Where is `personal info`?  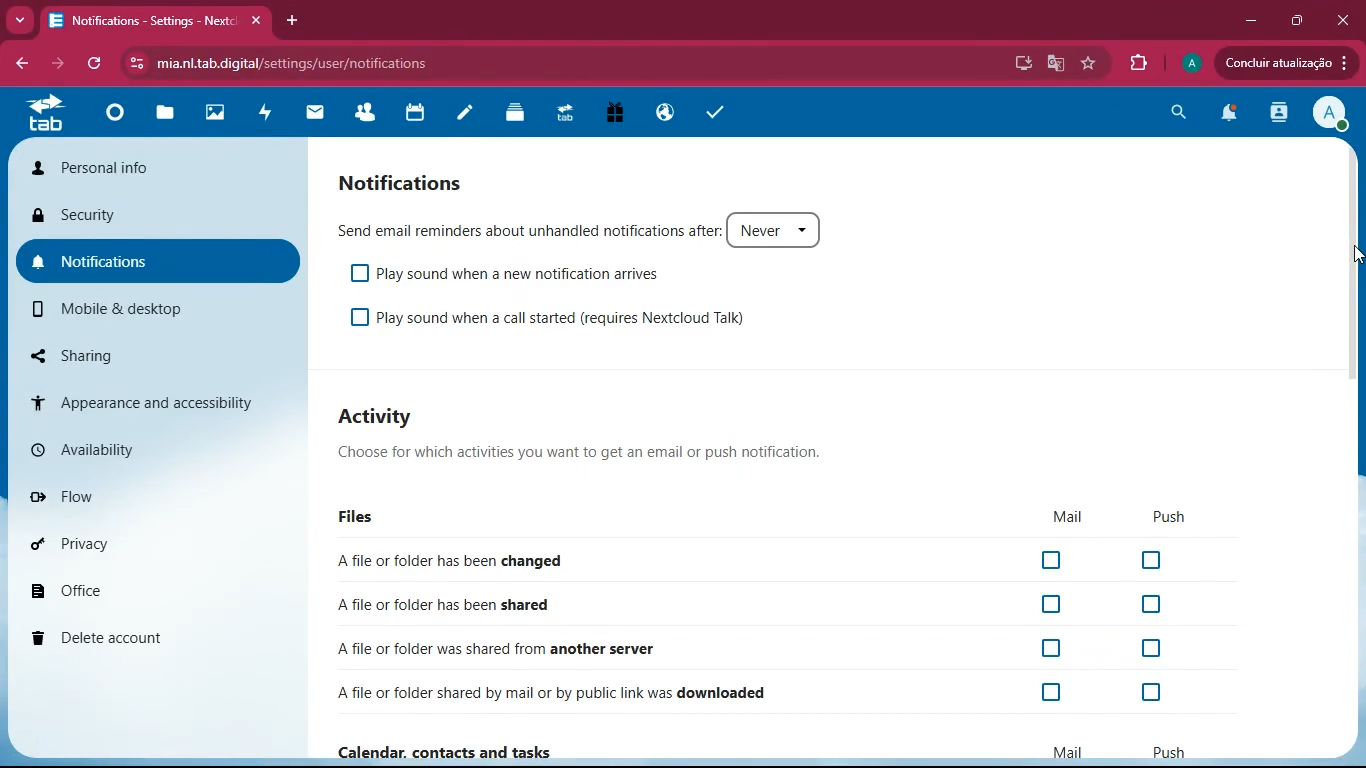 personal info is located at coordinates (158, 170).